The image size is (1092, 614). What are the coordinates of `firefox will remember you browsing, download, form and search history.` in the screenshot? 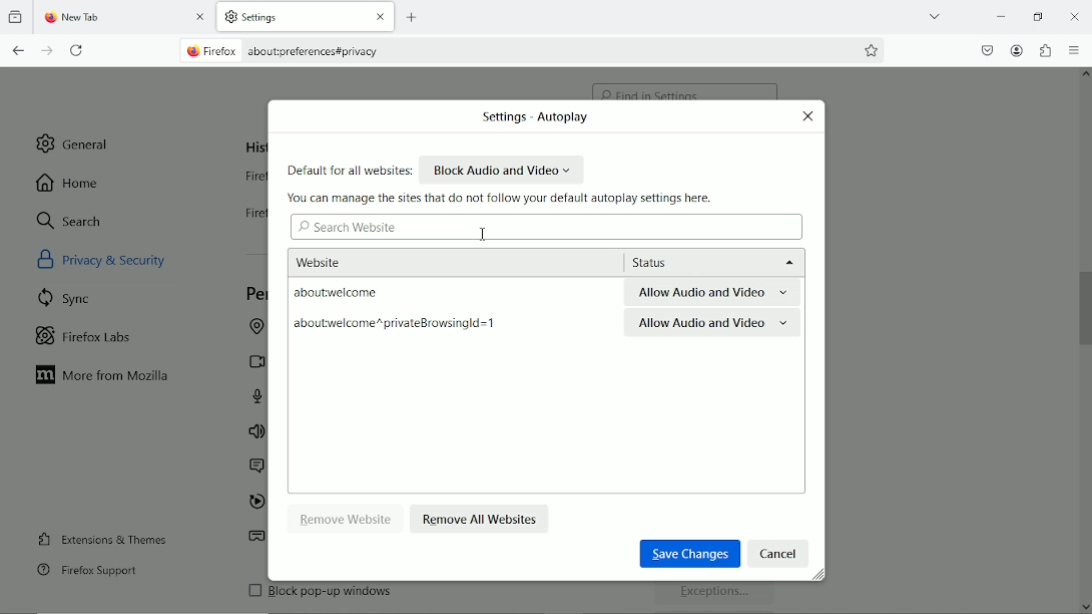 It's located at (247, 218).